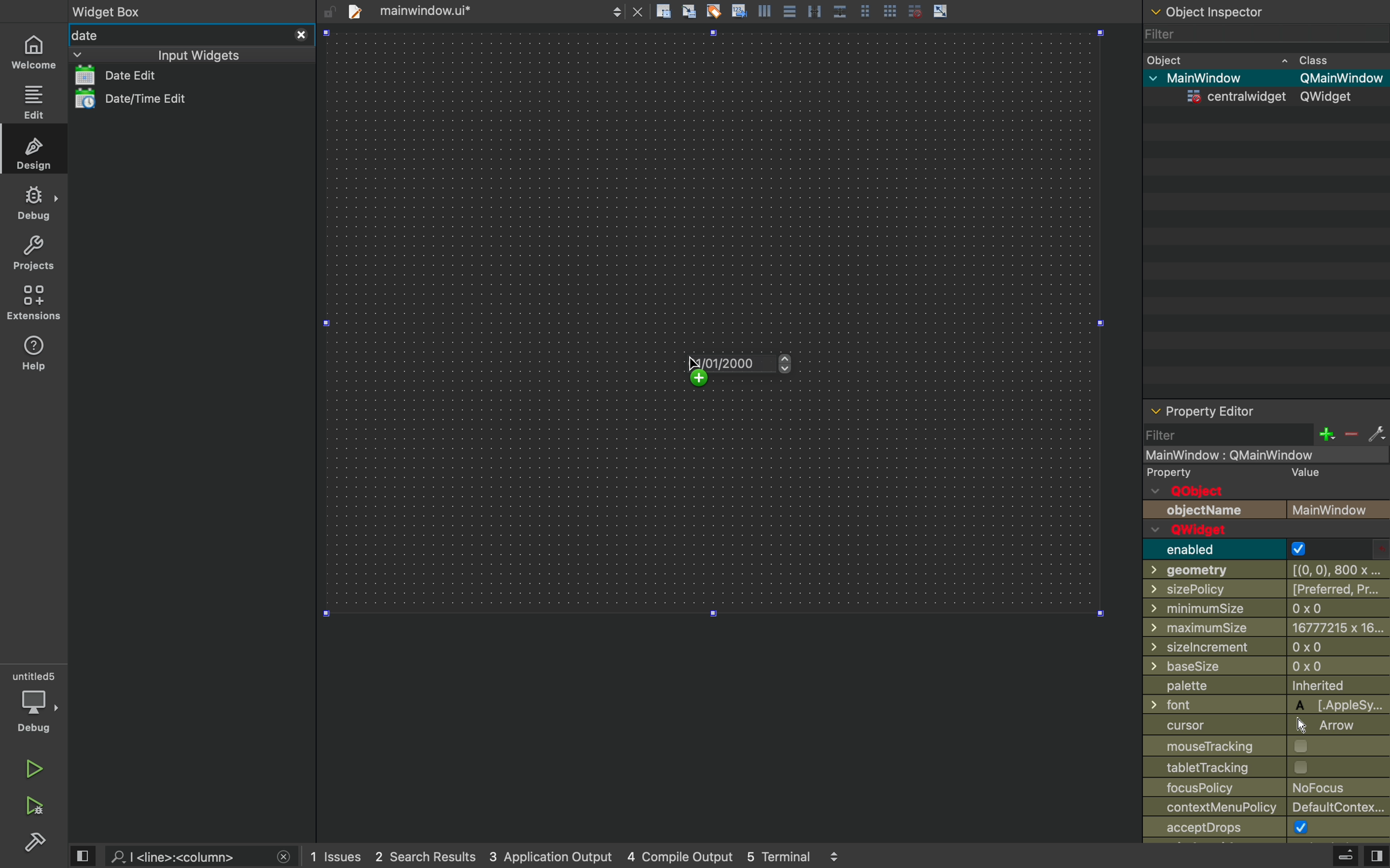 This screenshot has width=1390, height=868. Describe the element at coordinates (1347, 856) in the screenshot. I see `extrude` at that location.